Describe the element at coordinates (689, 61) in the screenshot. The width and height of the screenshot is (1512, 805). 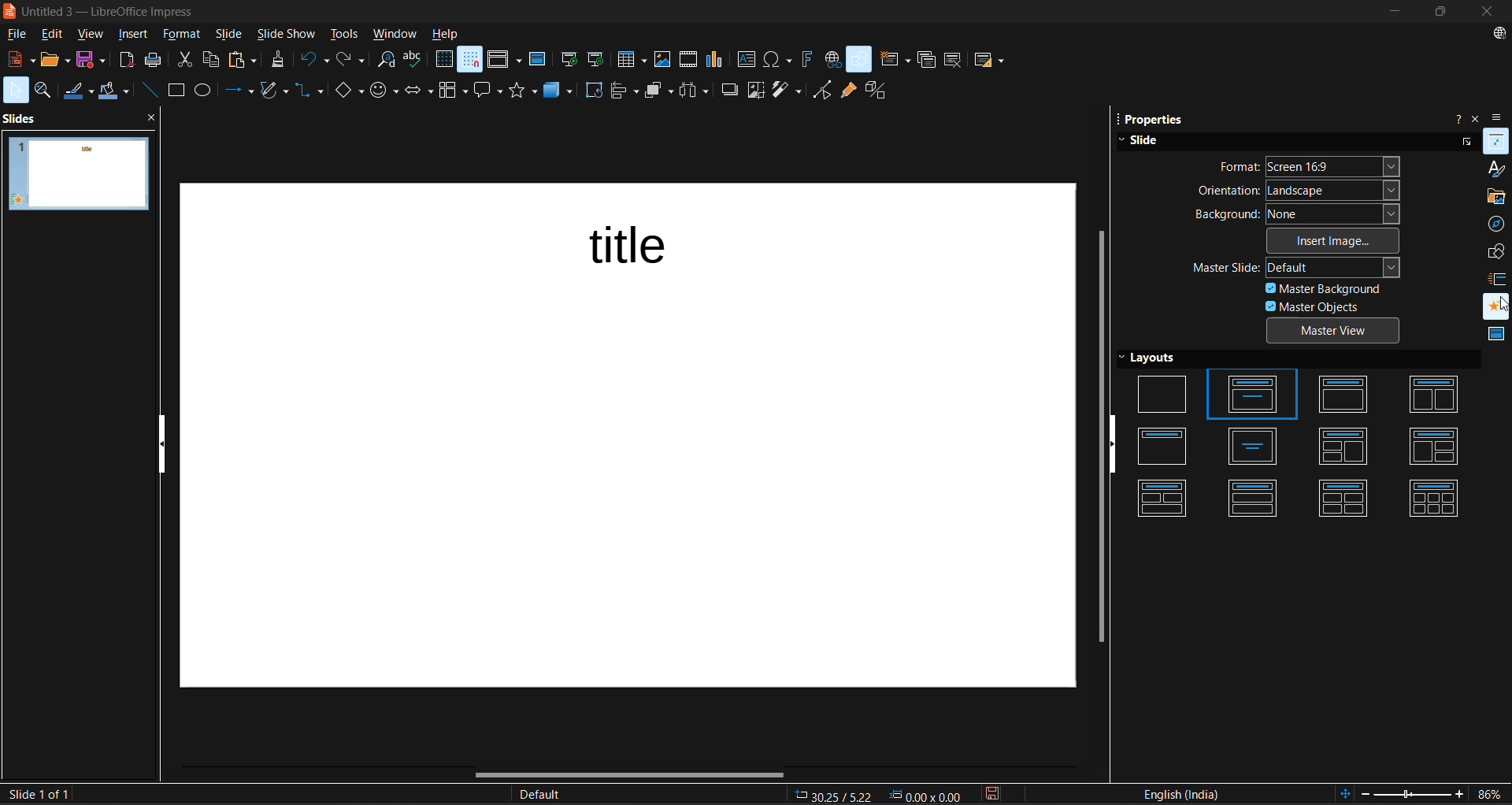
I see `insert audio or video` at that location.